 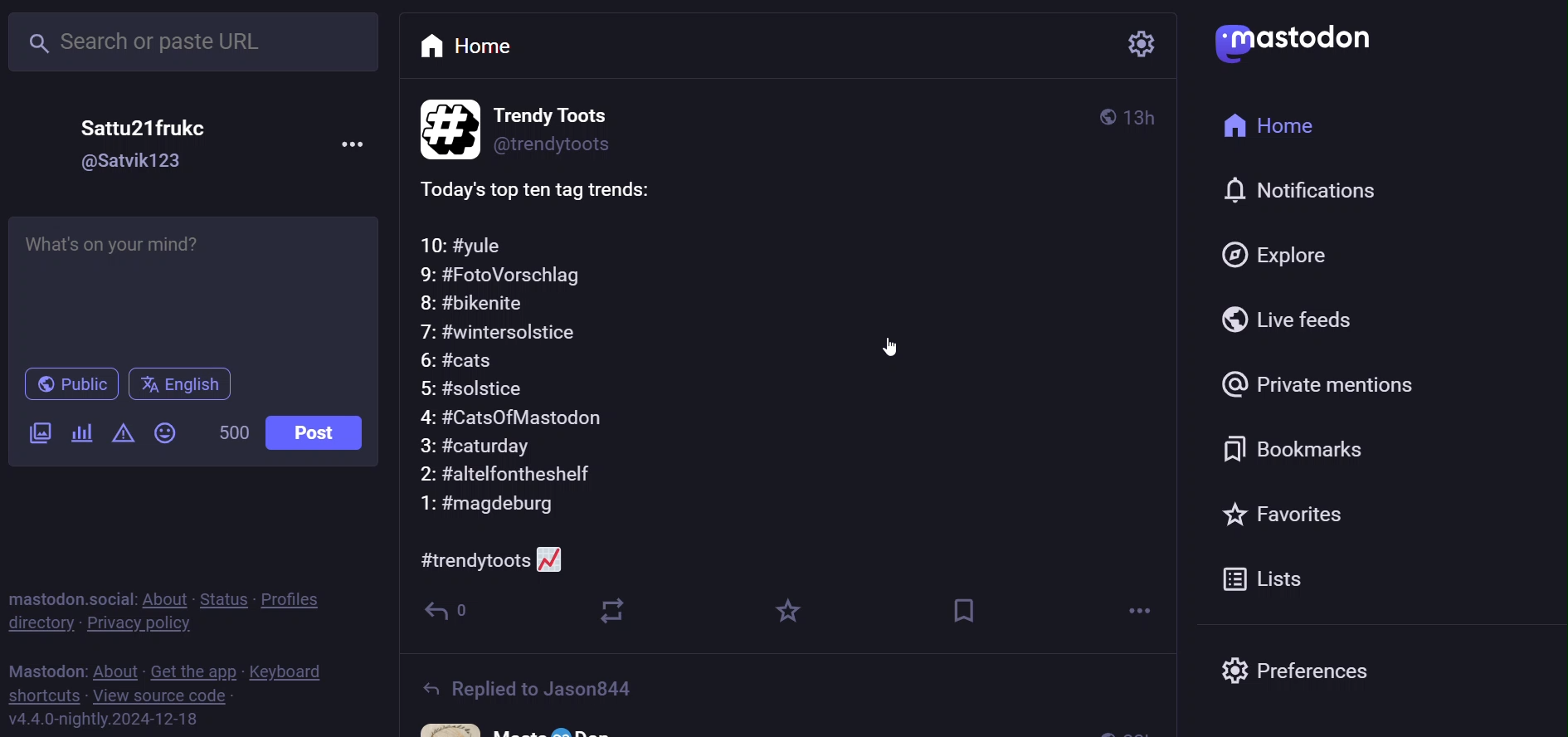 I want to click on shortcut, so click(x=44, y=695).